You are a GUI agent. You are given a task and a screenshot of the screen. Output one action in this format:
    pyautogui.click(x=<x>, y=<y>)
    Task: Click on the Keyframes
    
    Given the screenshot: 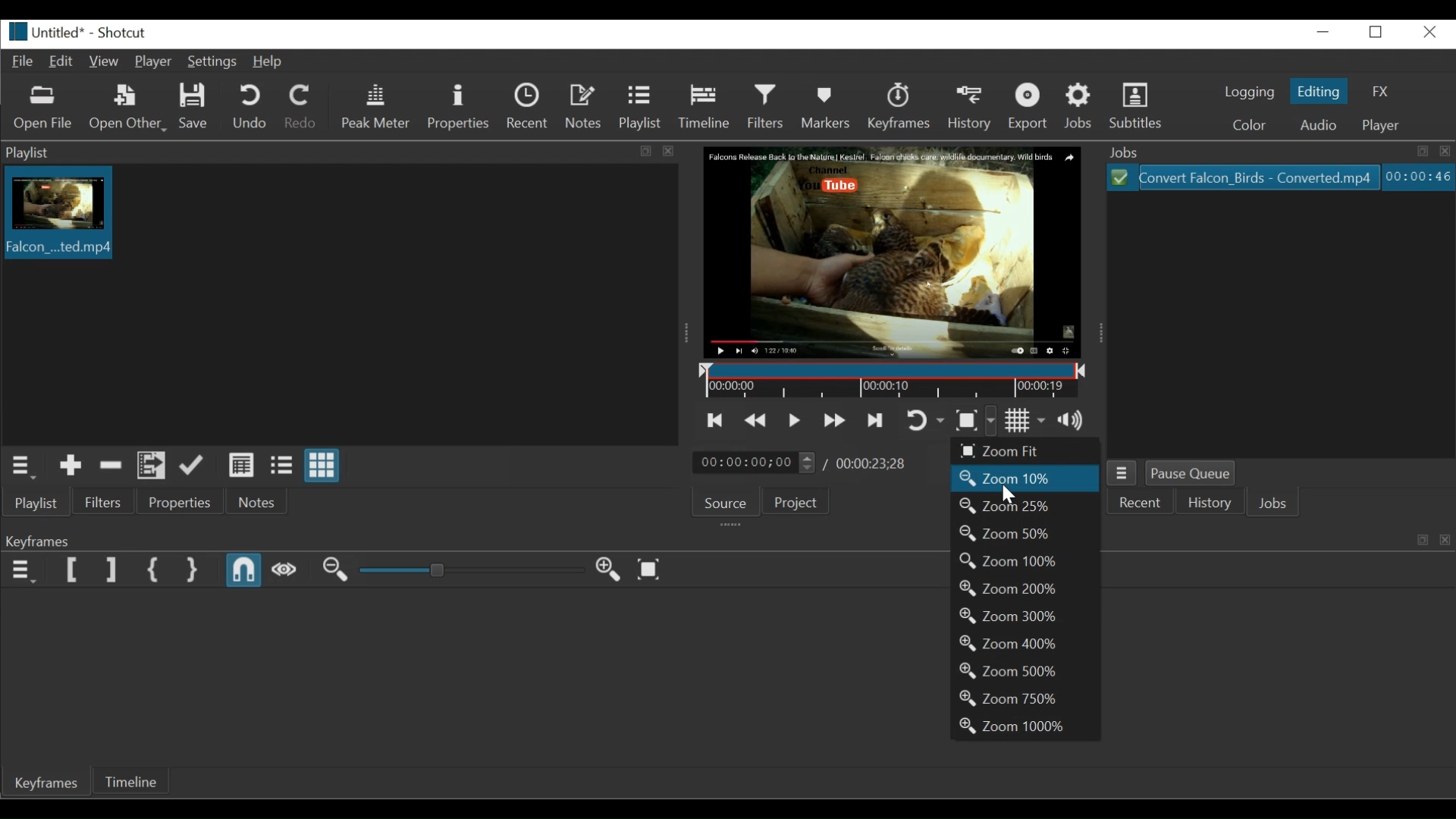 What is the action you would take?
    pyautogui.click(x=73, y=538)
    